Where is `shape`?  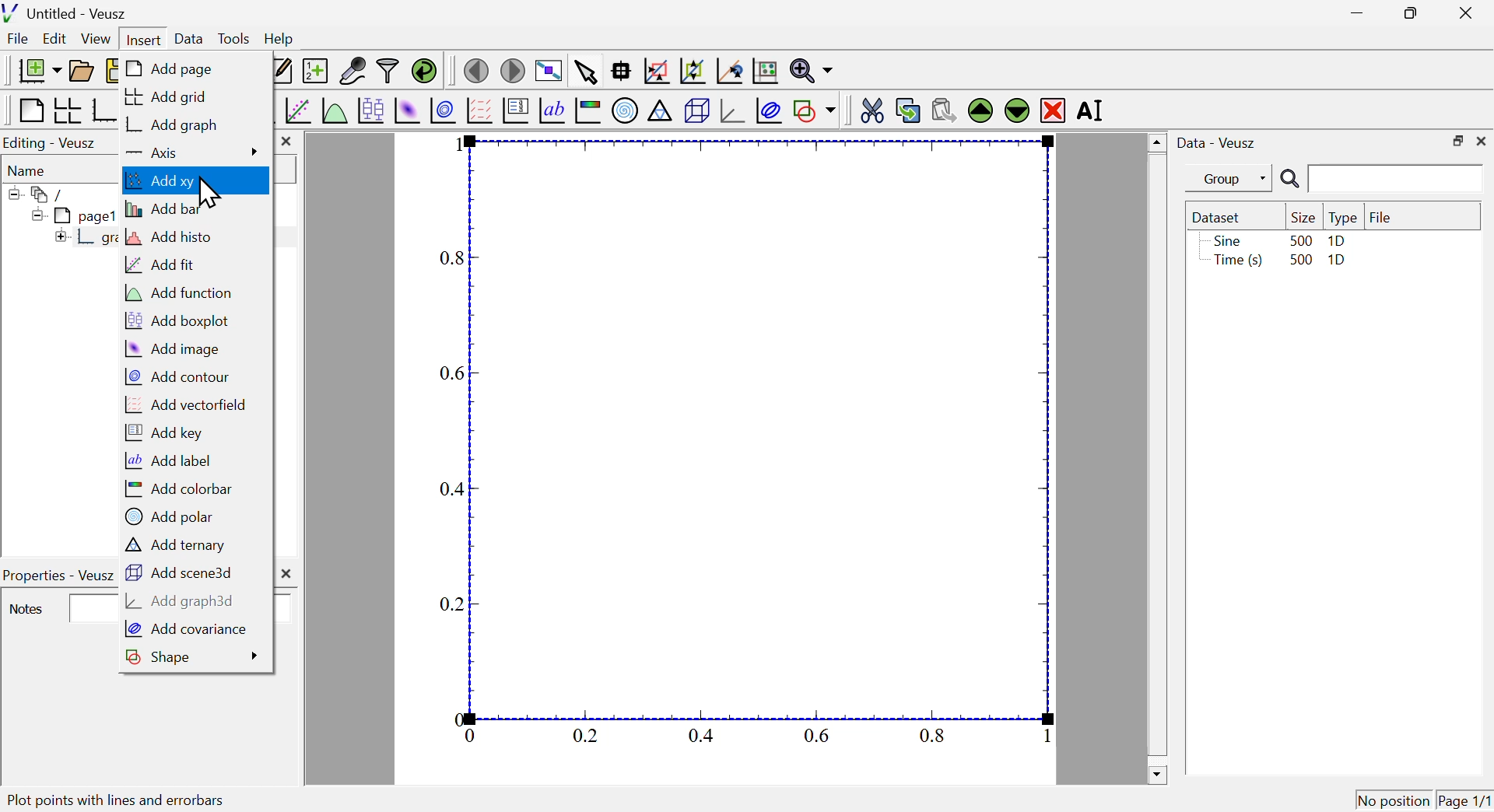
shape is located at coordinates (193, 658).